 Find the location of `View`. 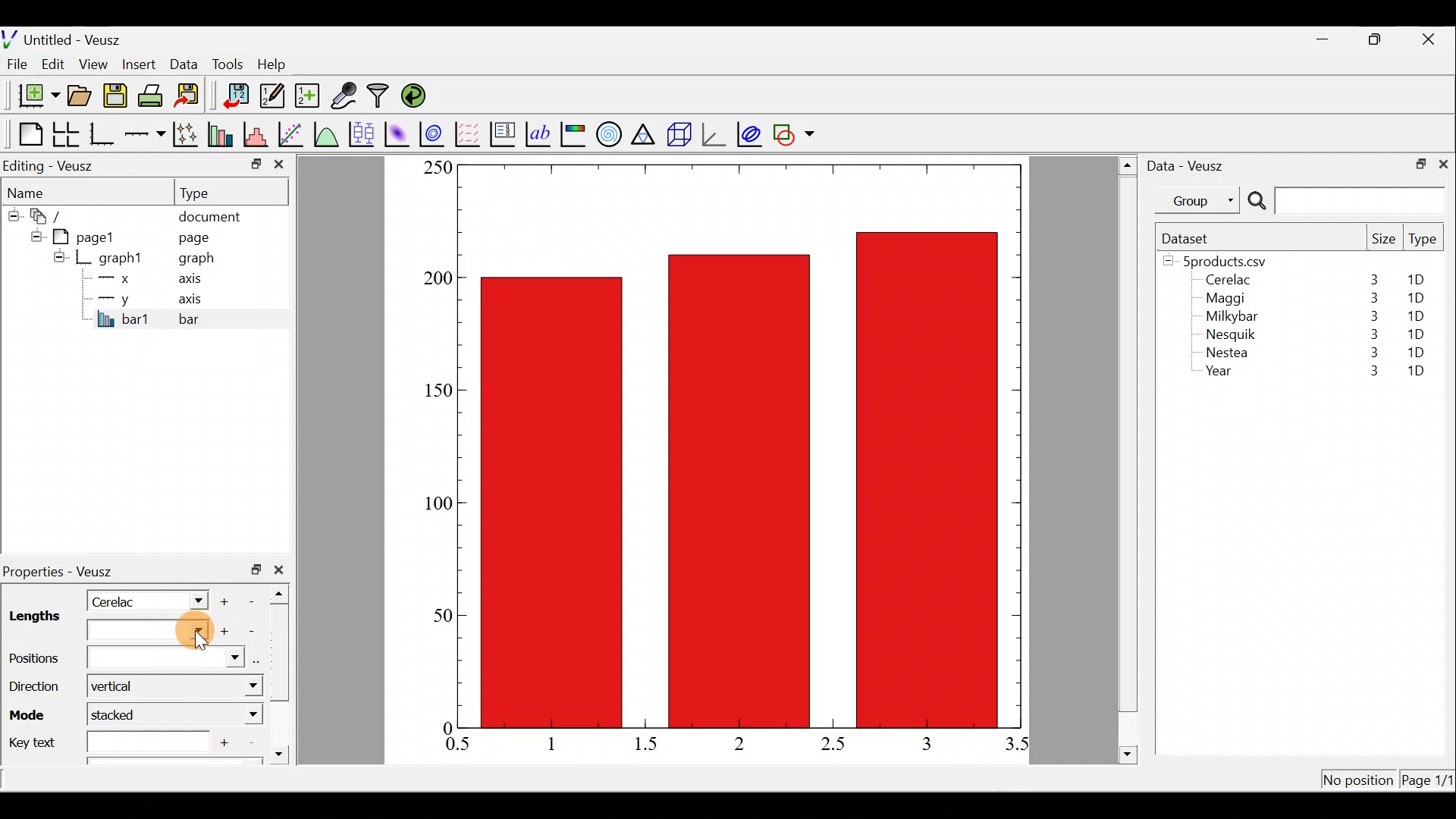

View is located at coordinates (96, 61).